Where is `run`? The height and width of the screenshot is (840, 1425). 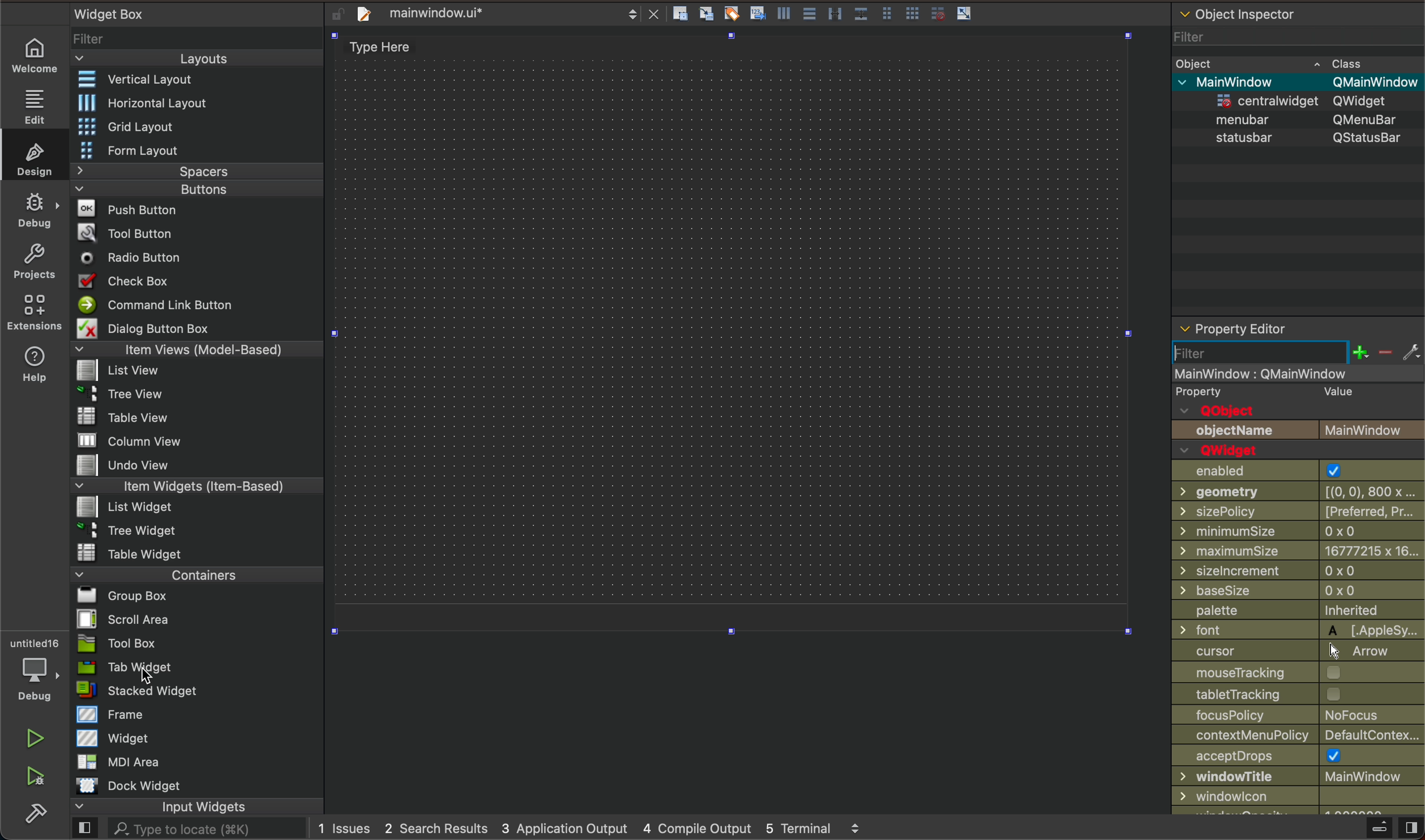
run is located at coordinates (23, 737).